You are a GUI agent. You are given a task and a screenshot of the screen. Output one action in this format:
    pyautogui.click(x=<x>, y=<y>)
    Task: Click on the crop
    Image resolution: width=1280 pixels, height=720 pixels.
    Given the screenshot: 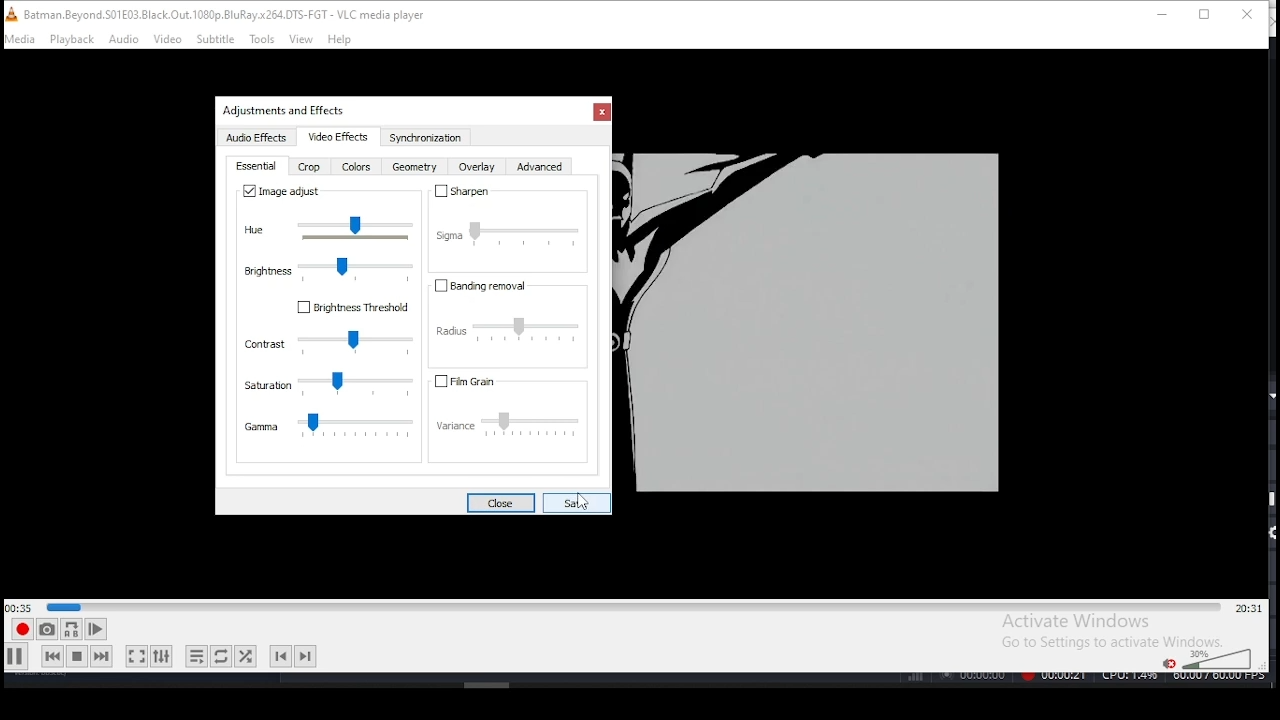 What is the action you would take?
    pyautogui.click(x=310, y=169)
    